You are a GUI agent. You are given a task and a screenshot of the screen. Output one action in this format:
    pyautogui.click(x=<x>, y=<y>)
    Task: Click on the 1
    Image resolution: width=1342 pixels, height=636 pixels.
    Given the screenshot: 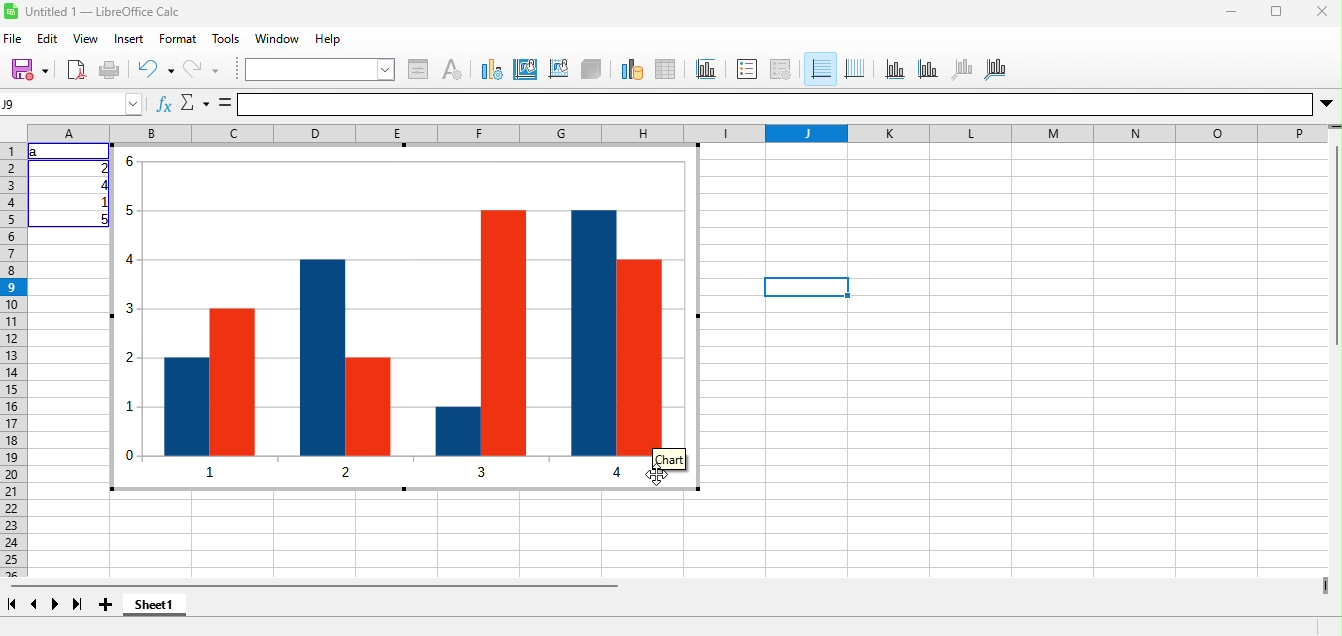 What is the action you would take?
    pyautogui.click(x=103, y=202)
    